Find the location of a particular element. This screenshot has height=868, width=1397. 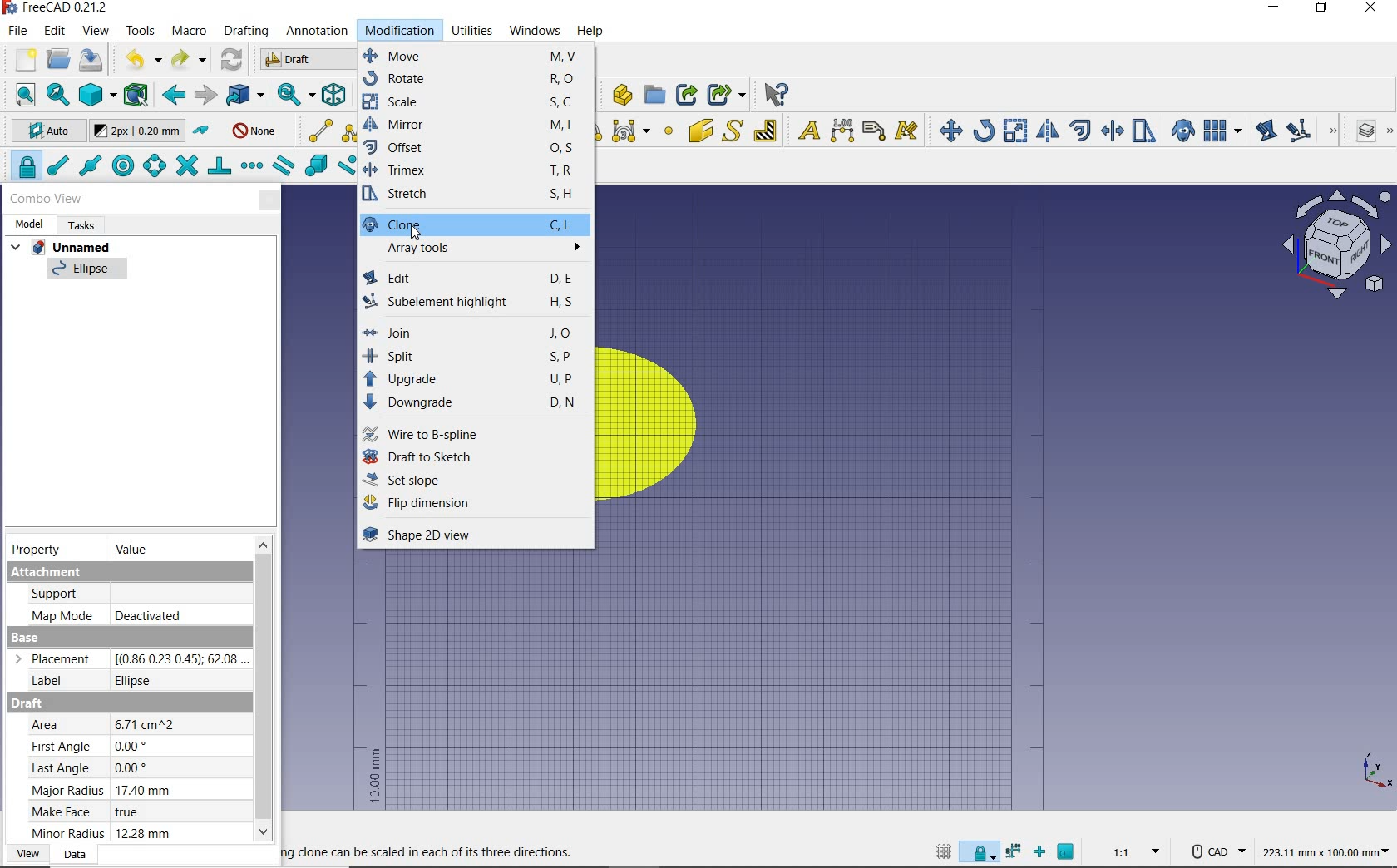

clone is located at coordinates (1181, 130).